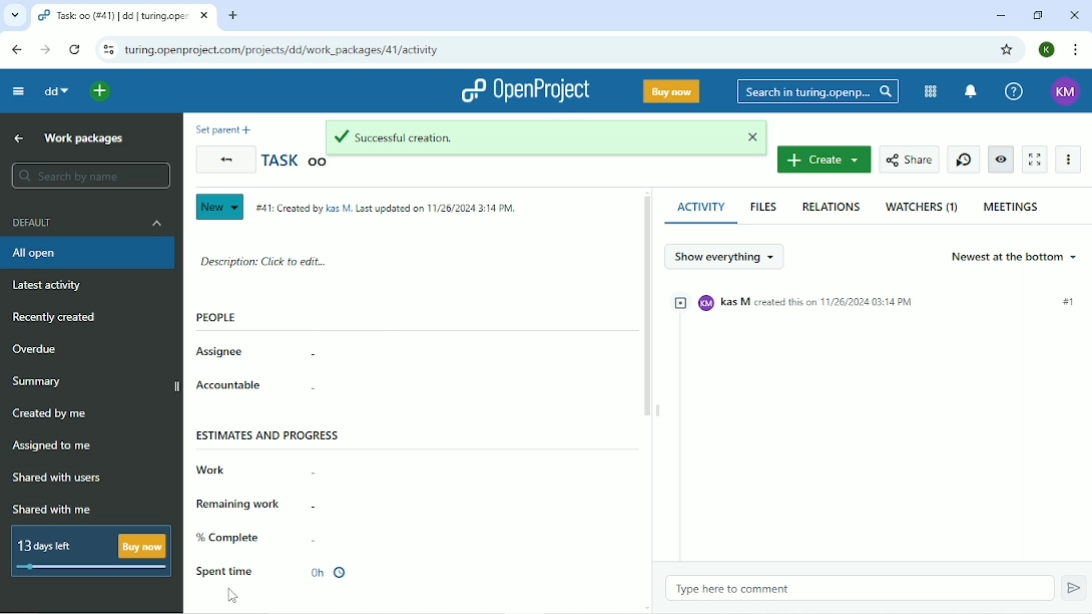 This screenshot has width=1092, height=614. What do you see at coordinates (755, 135) in the screenshot?
I see `close` at bounding box center [755, 135].